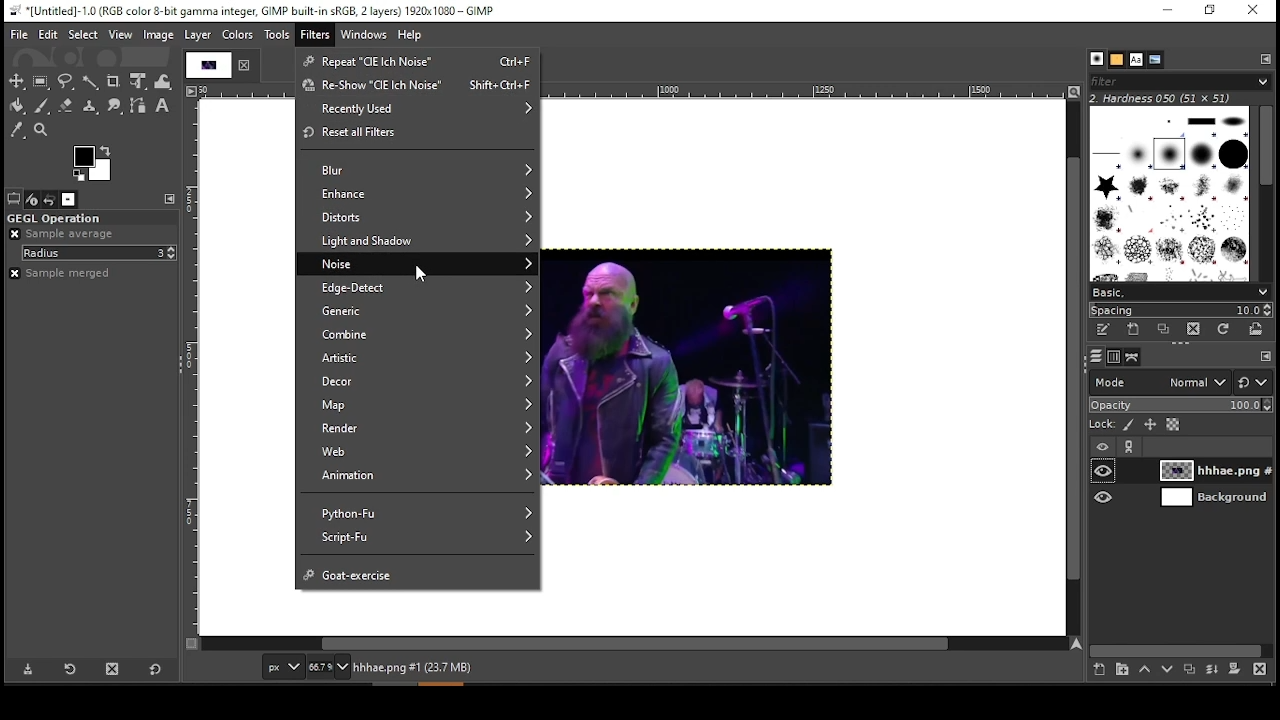  What do you see at coordinates (91, 163) in the screenshot?
I see `color` at bounding box center [91, 163].